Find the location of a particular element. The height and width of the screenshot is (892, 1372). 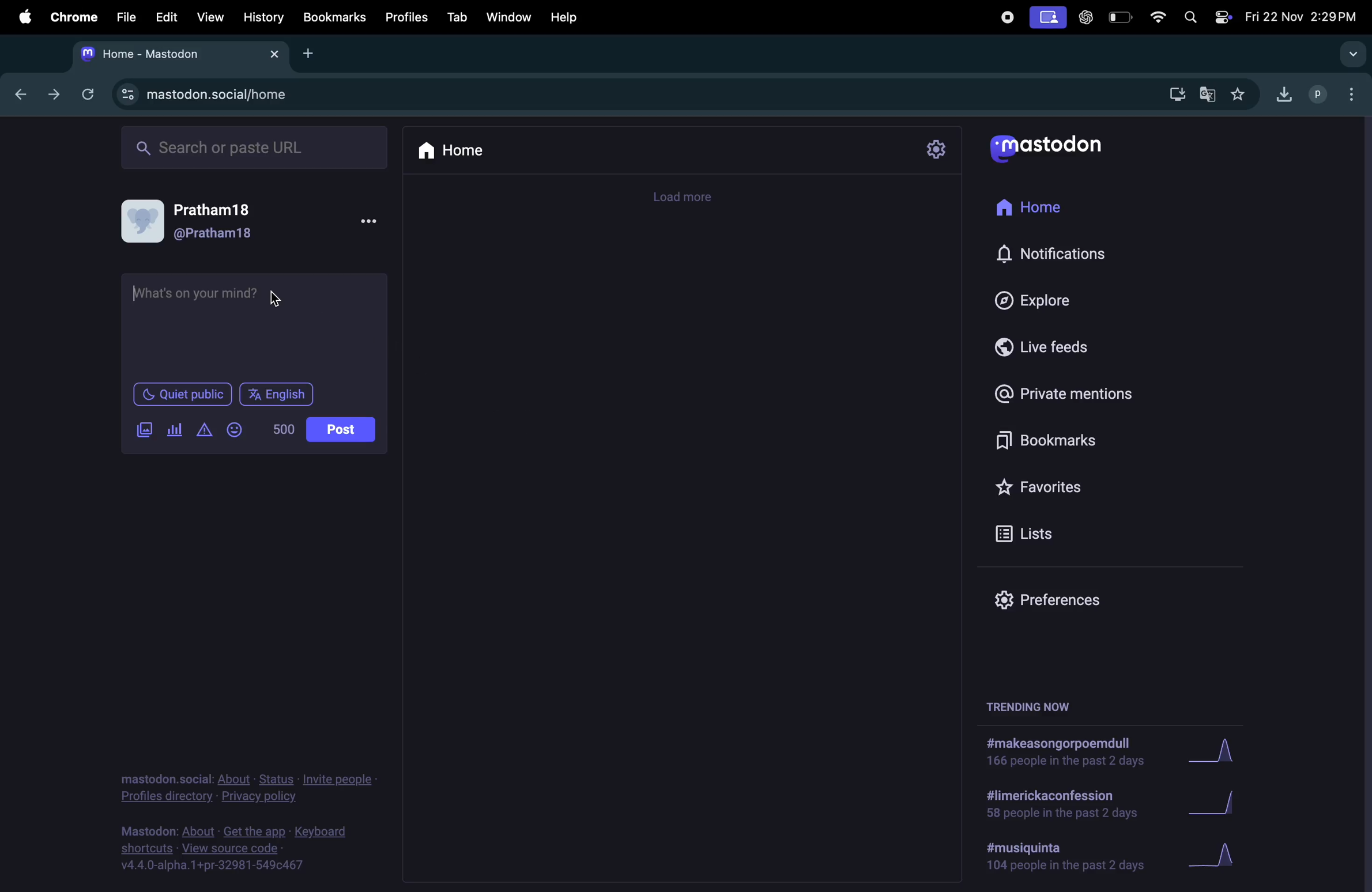

display picture is located at coordinates (140, 222).